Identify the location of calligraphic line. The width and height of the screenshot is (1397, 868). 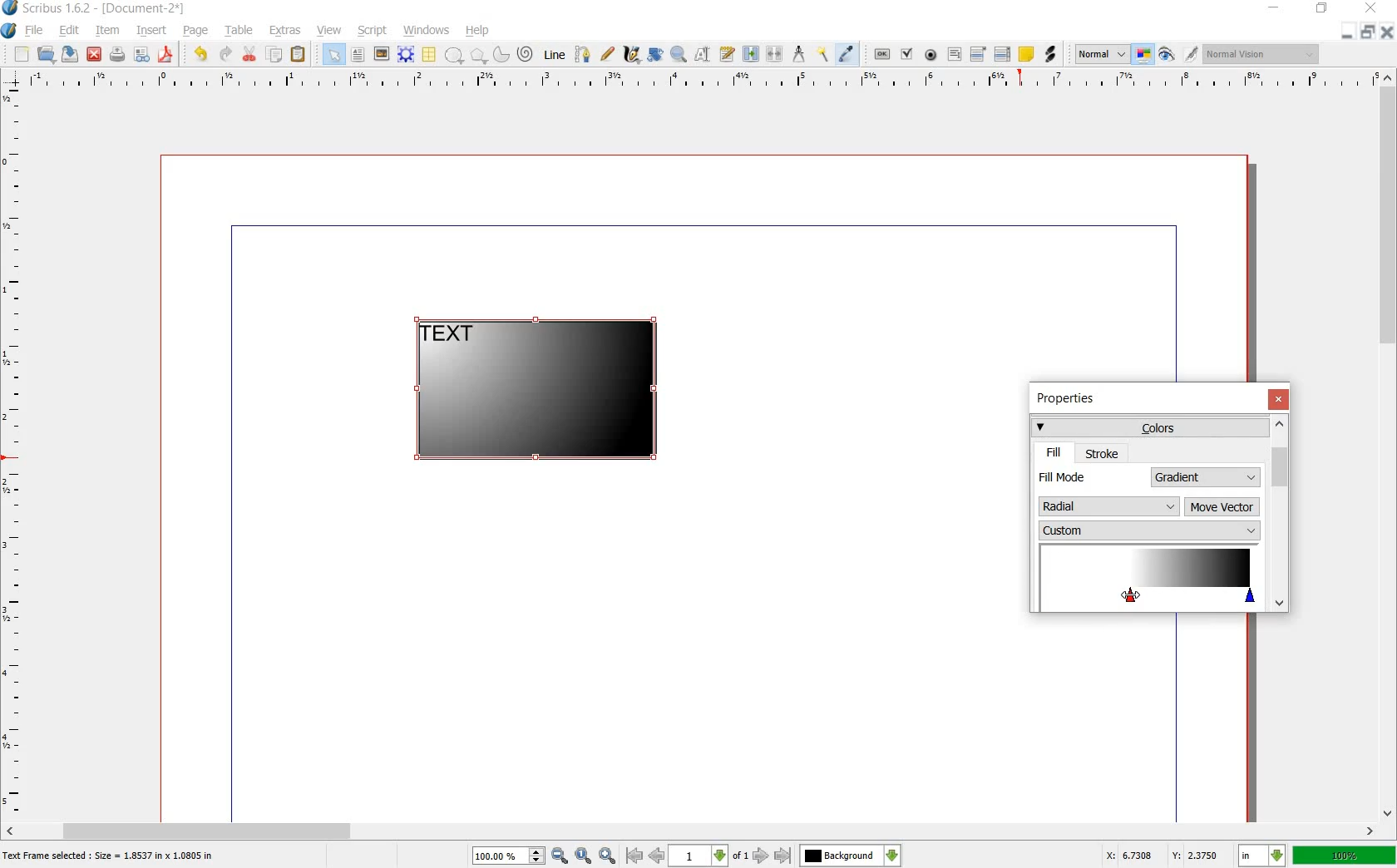
(631, 53).